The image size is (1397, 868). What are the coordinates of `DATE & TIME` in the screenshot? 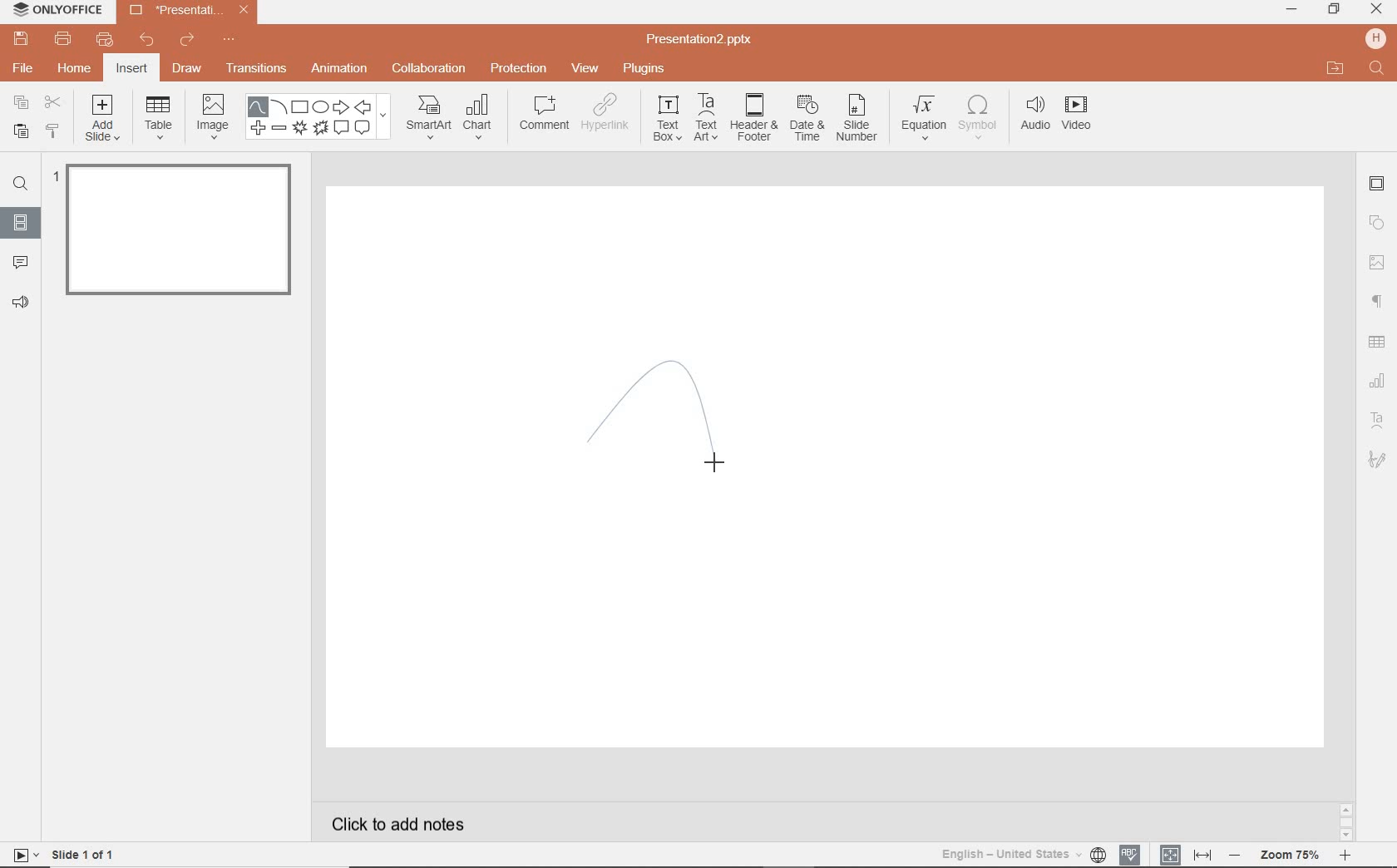 It's located at (807, 121).